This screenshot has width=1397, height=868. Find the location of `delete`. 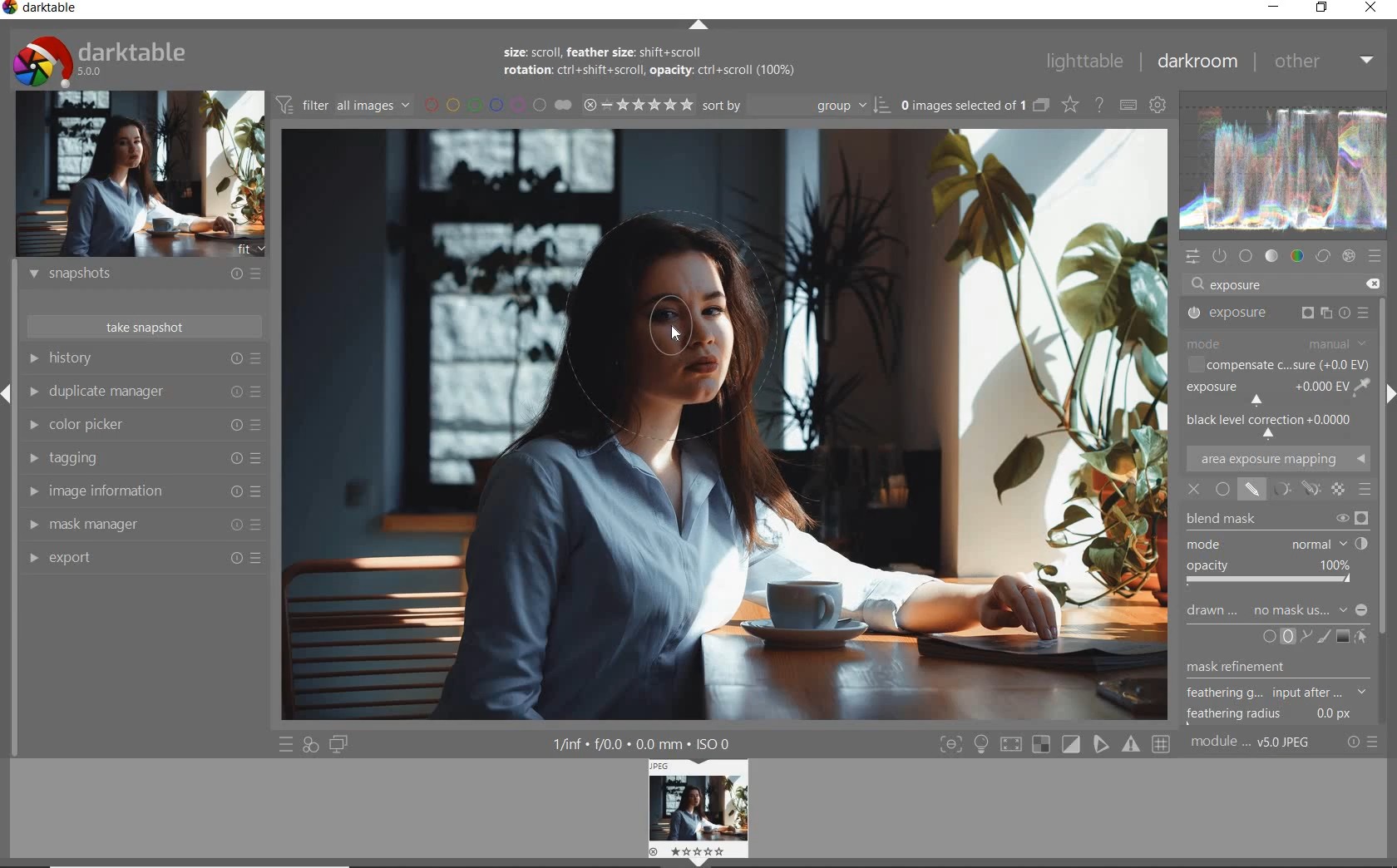

delete is located at coordinates (1376, 284).